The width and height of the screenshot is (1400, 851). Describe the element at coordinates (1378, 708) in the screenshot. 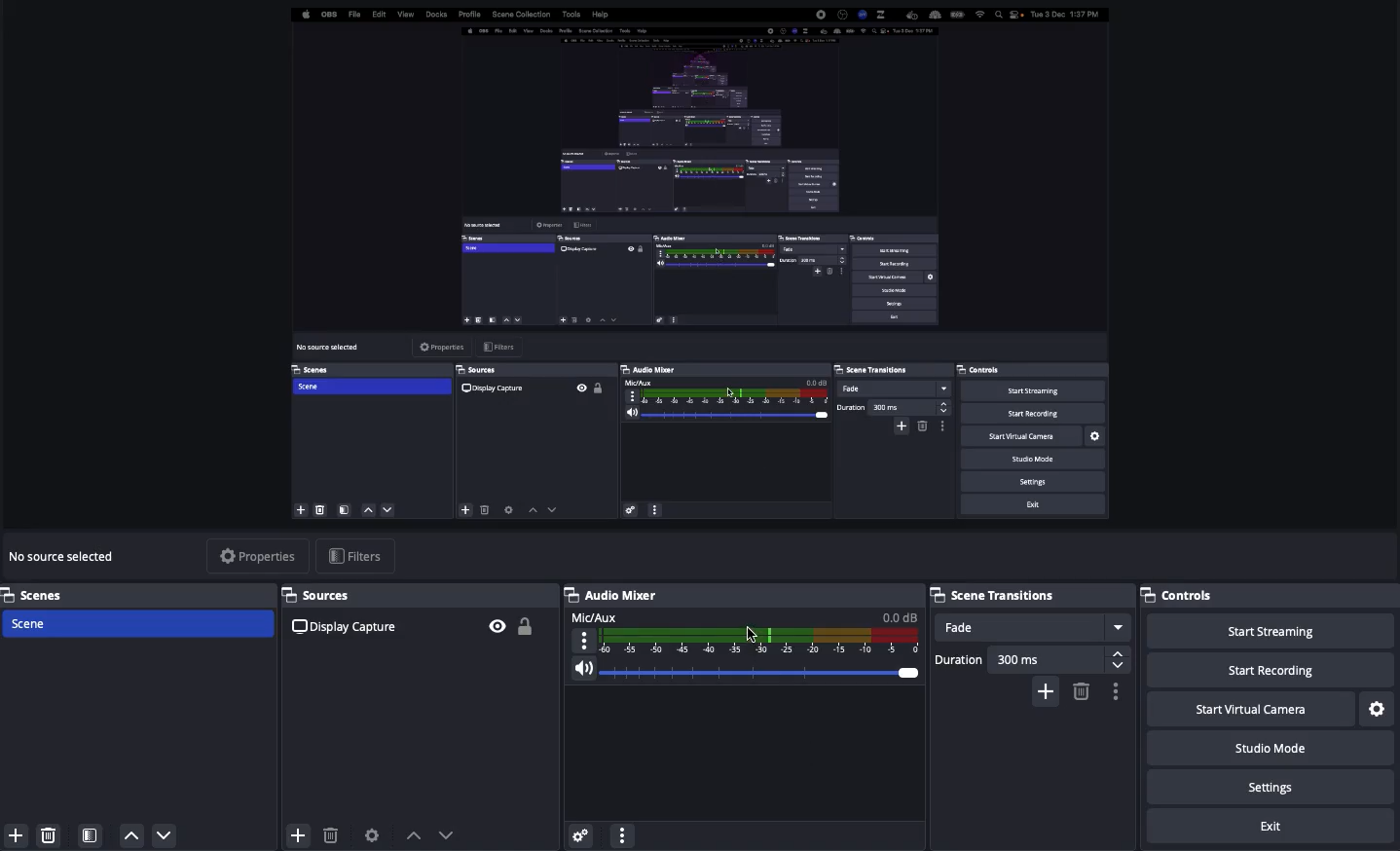

I see `Settings` at that location.